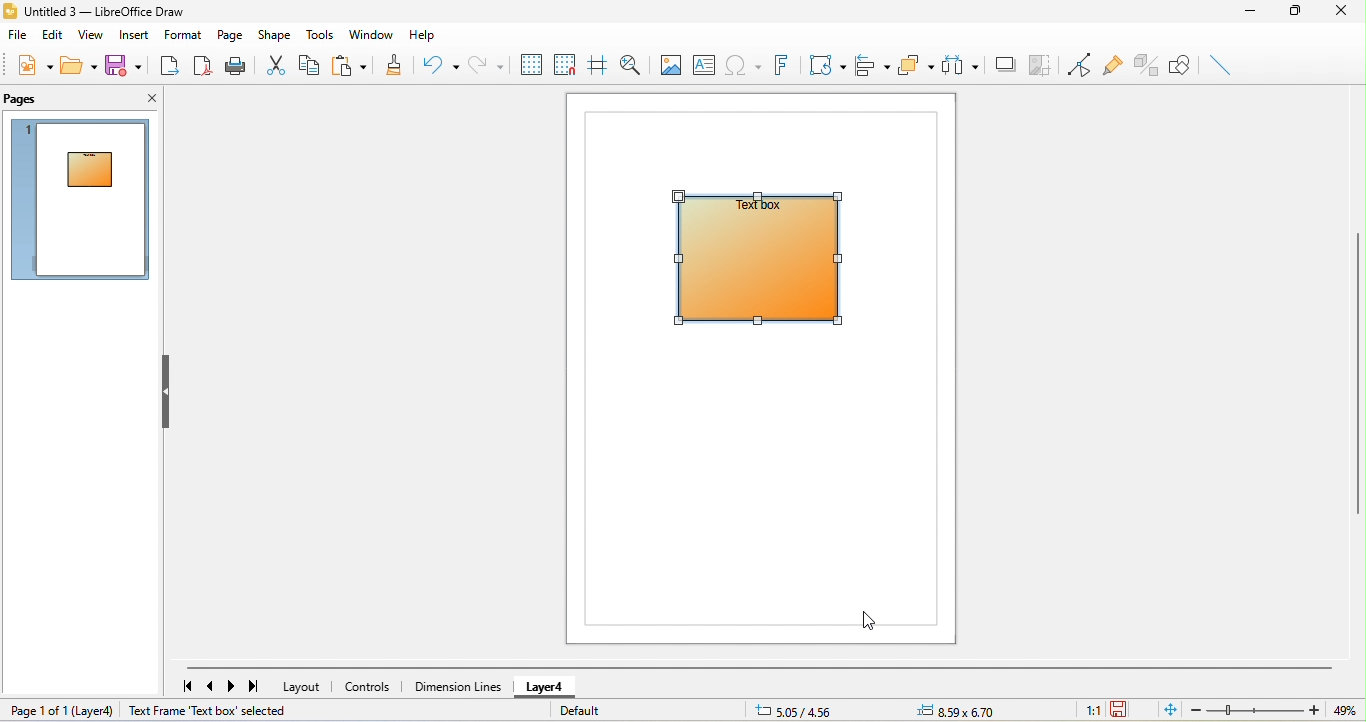 The image size is (1366, 722). Describe the element at coordinates (204, 68) in the screenshot. I see `export directly as pdf` at that location.